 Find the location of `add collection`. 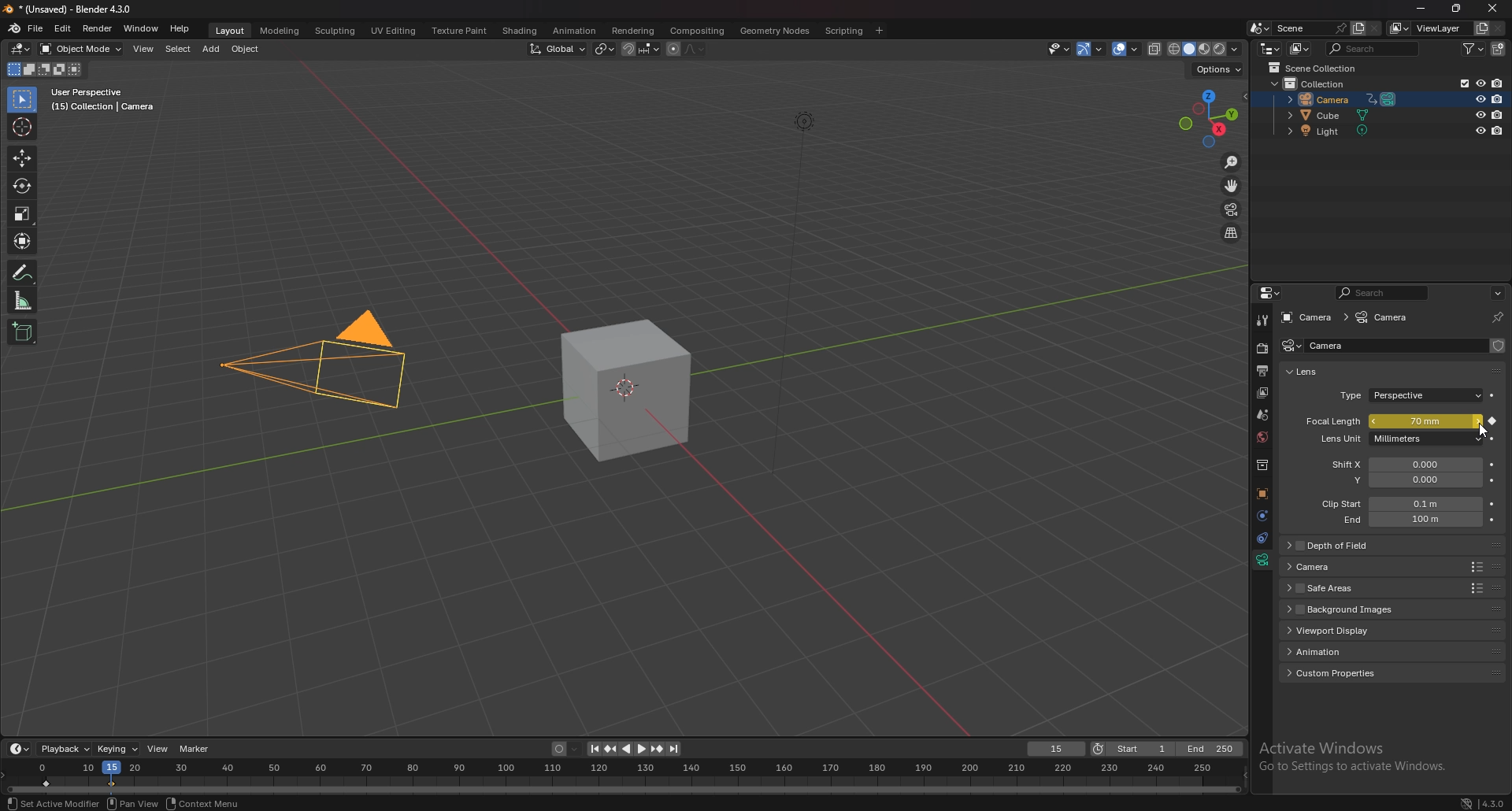

add collection is located at coordinates (1499, 48).